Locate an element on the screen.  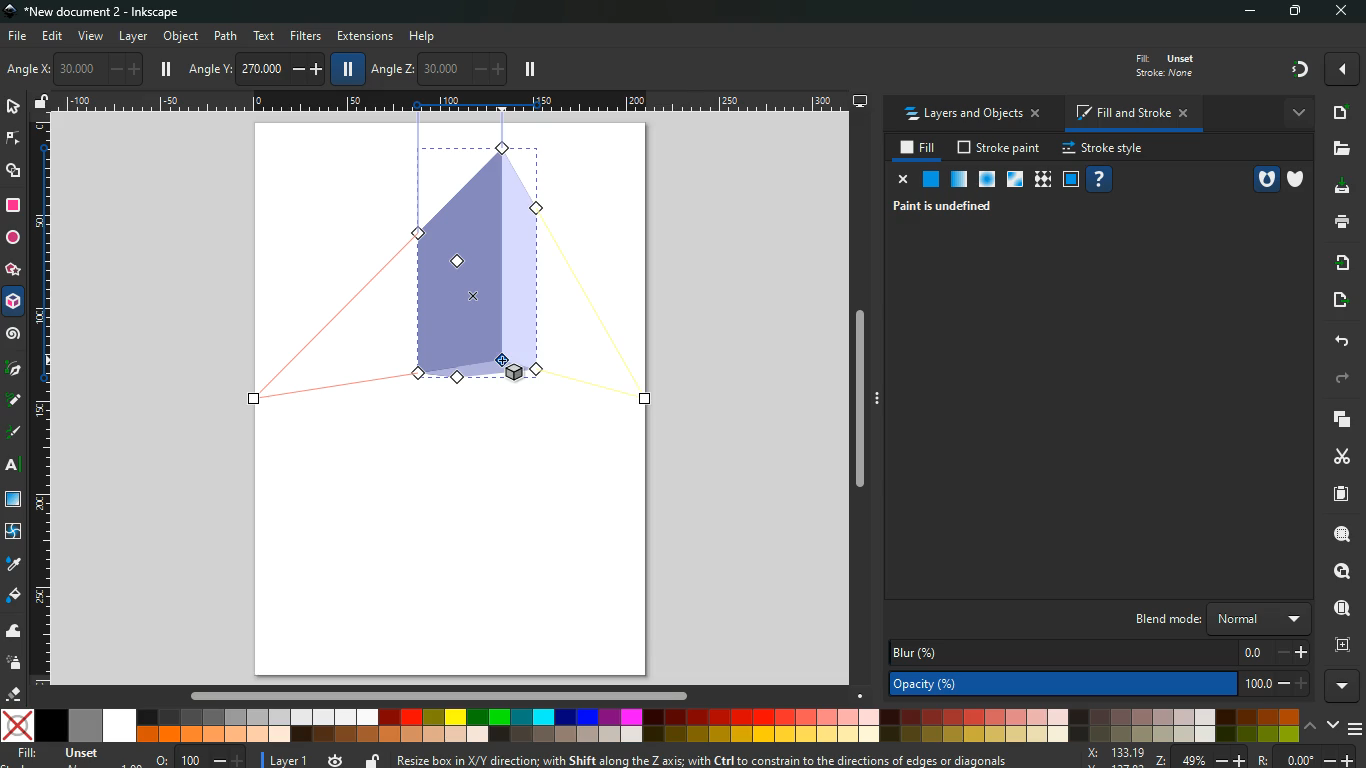
angle z is located at coordinates (437, 67).